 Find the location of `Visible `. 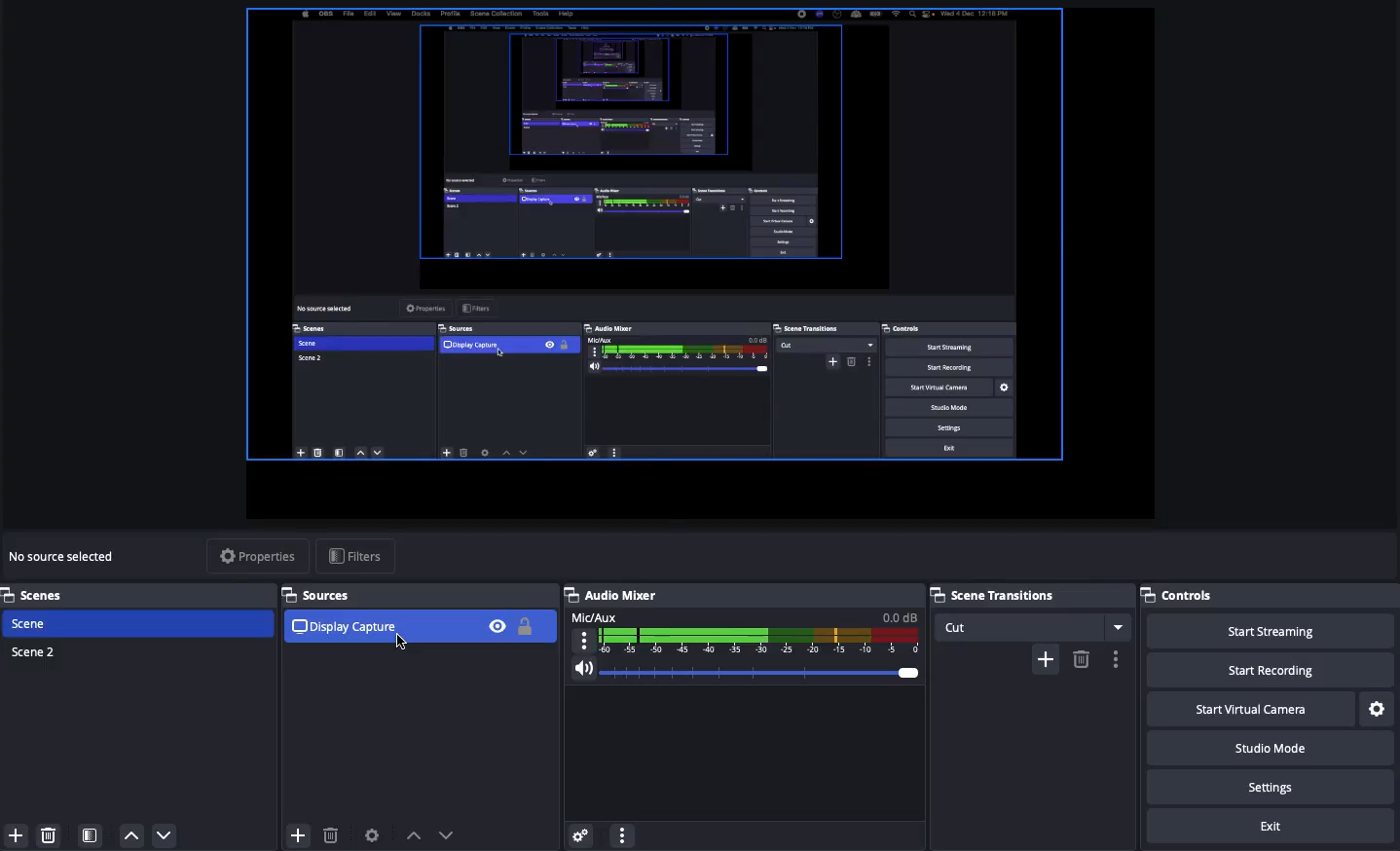

Visible  is located at coordinates (499, 625).